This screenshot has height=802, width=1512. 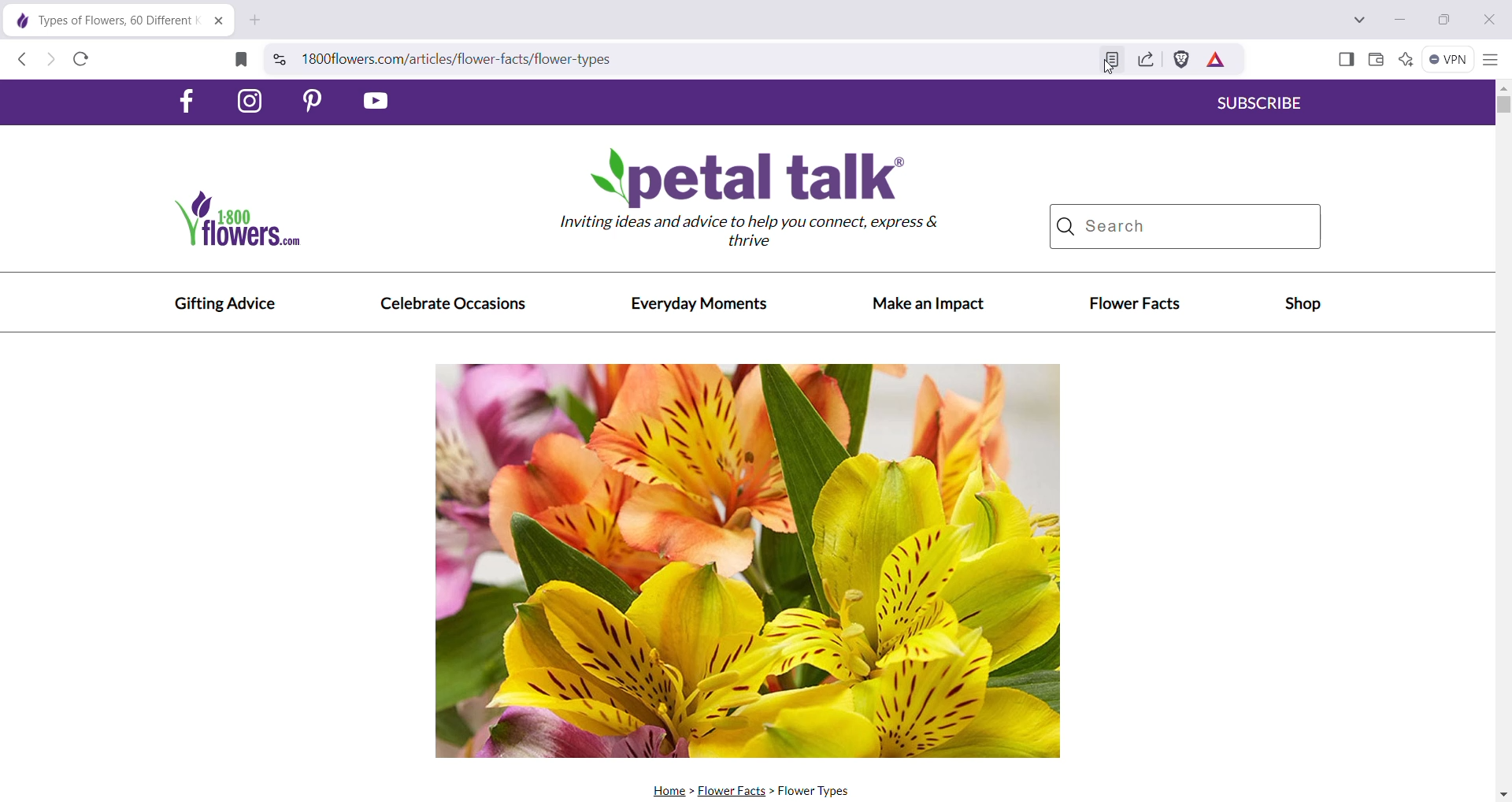 What do you see at coordinates (1182, 59) in the screenshot?
I see `Brave Shields` at bounding box center [1182, 59].